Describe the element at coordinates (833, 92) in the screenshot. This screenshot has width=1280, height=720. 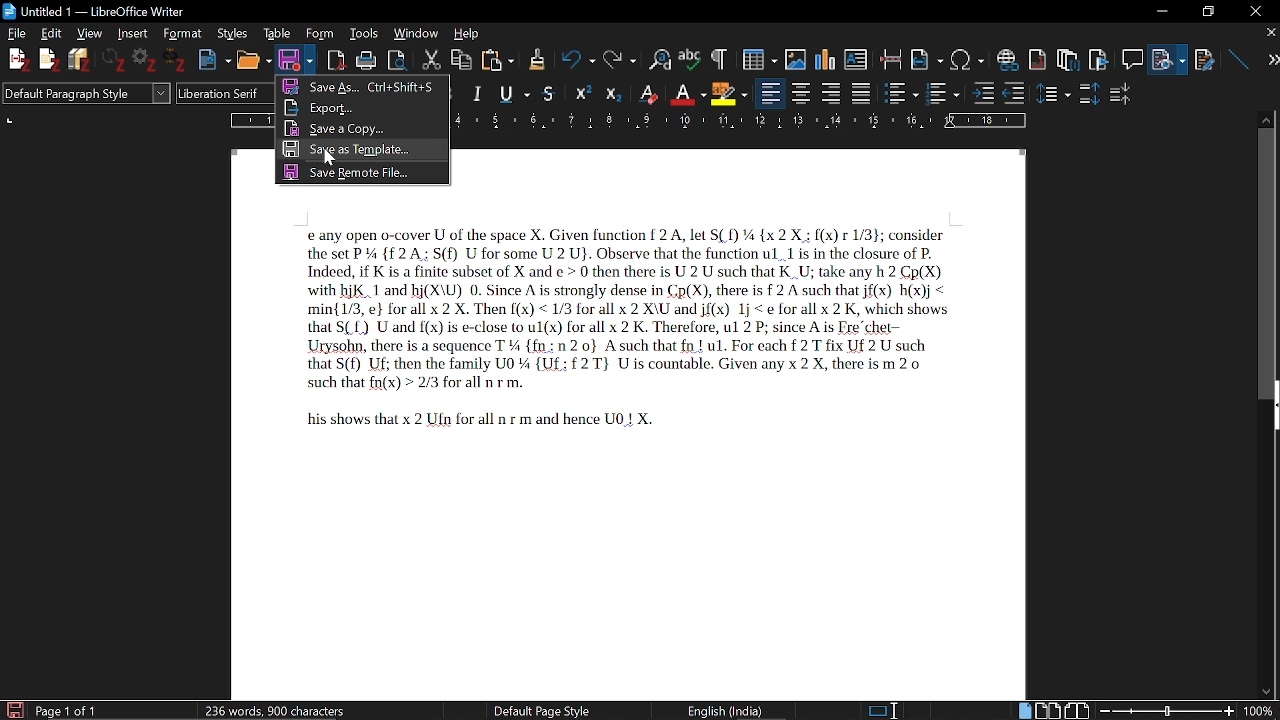
I see `Align right` at that location.